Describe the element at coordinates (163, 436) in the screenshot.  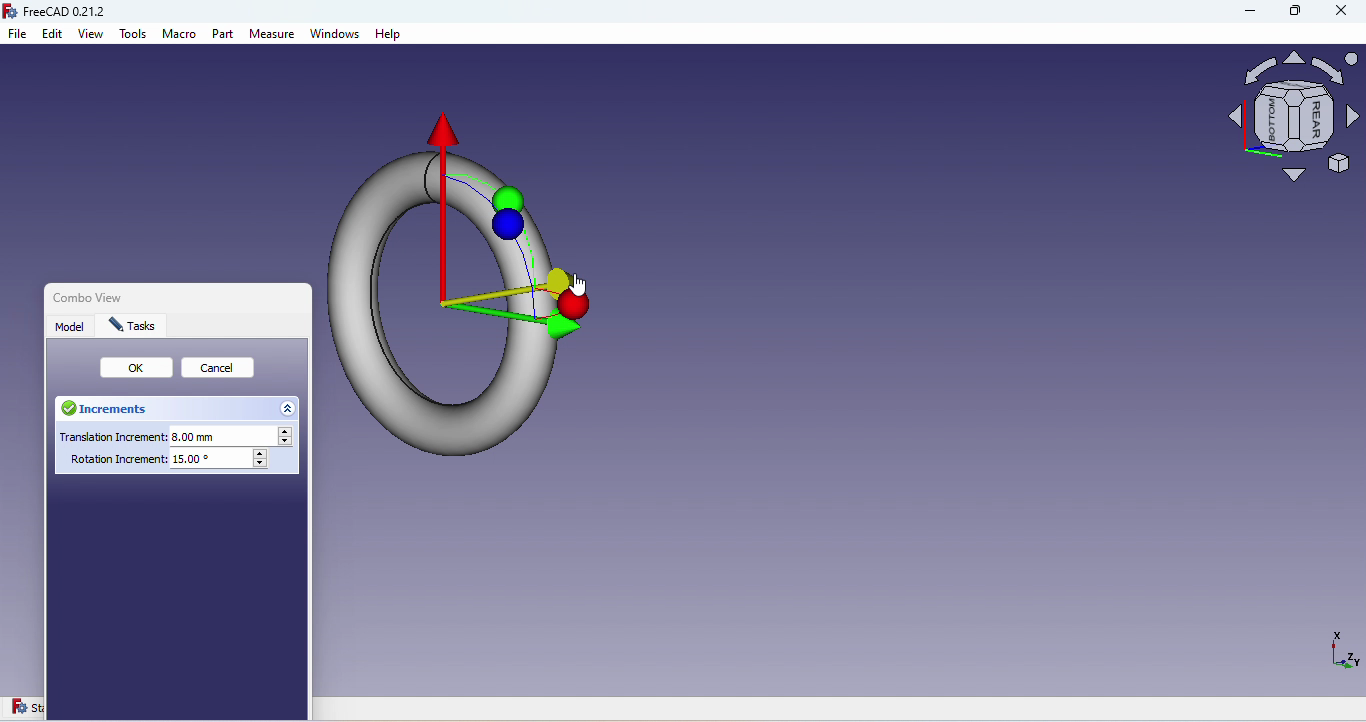
I see `Translation increment` at that location.